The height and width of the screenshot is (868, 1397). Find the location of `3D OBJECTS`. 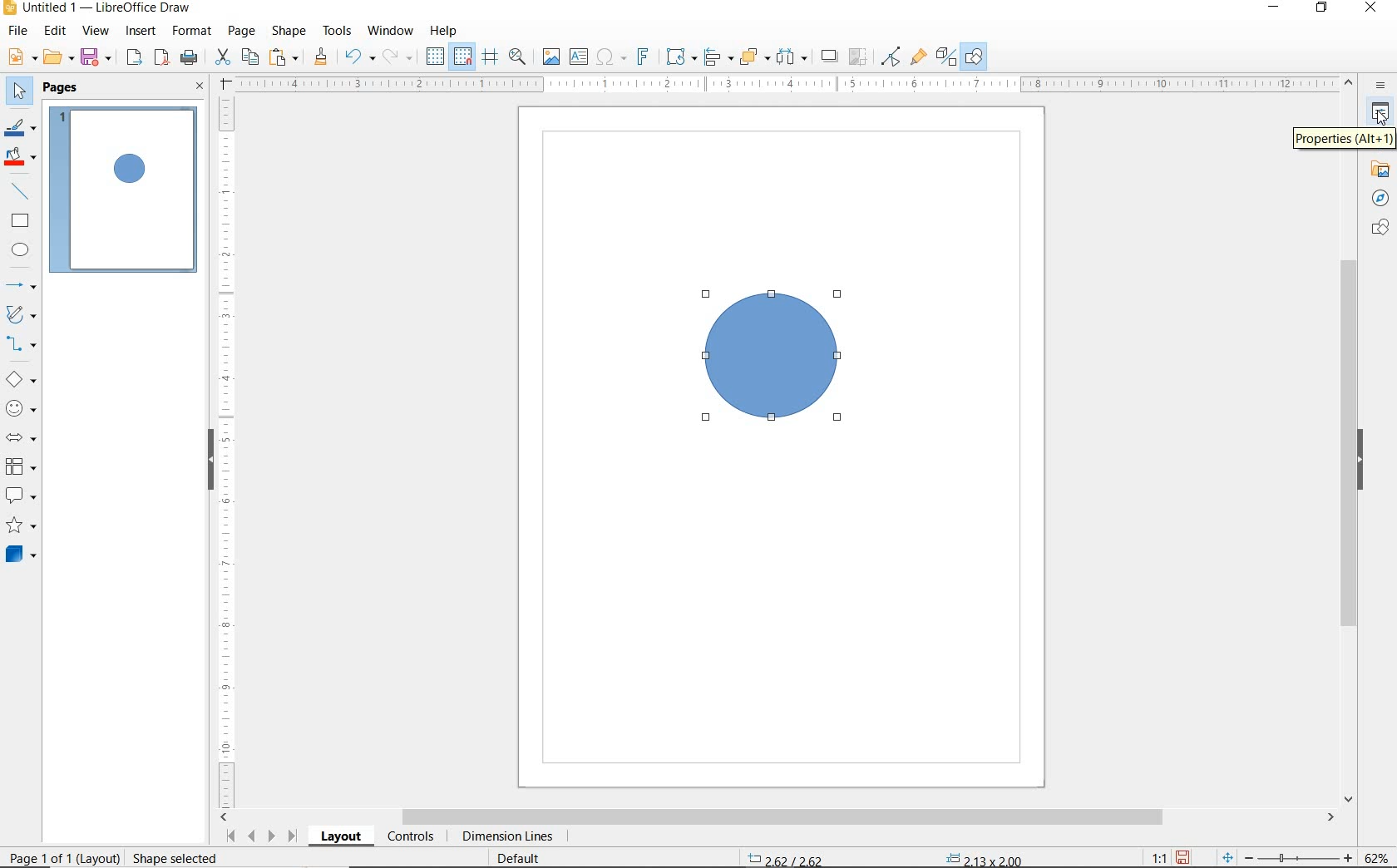

3D OBJECTS is located at coordinates (23, 555).